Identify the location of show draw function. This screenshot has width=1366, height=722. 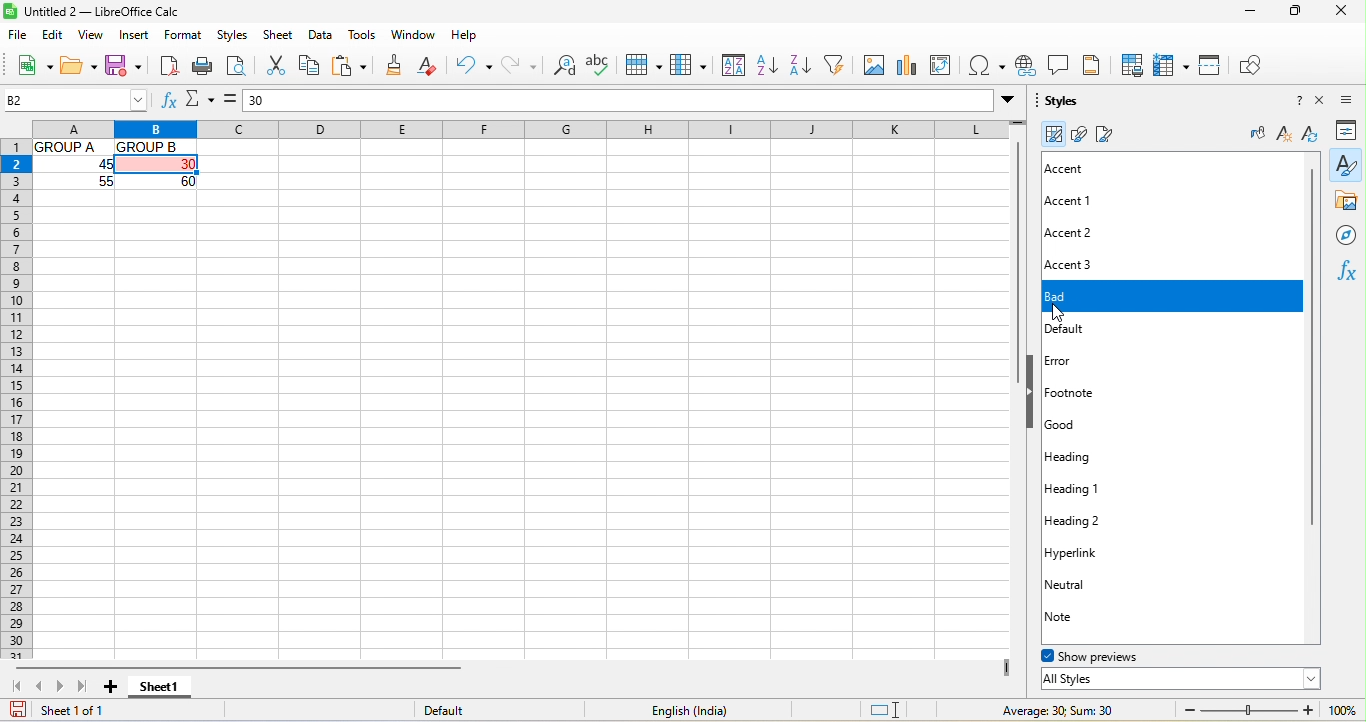
(1252, 64).